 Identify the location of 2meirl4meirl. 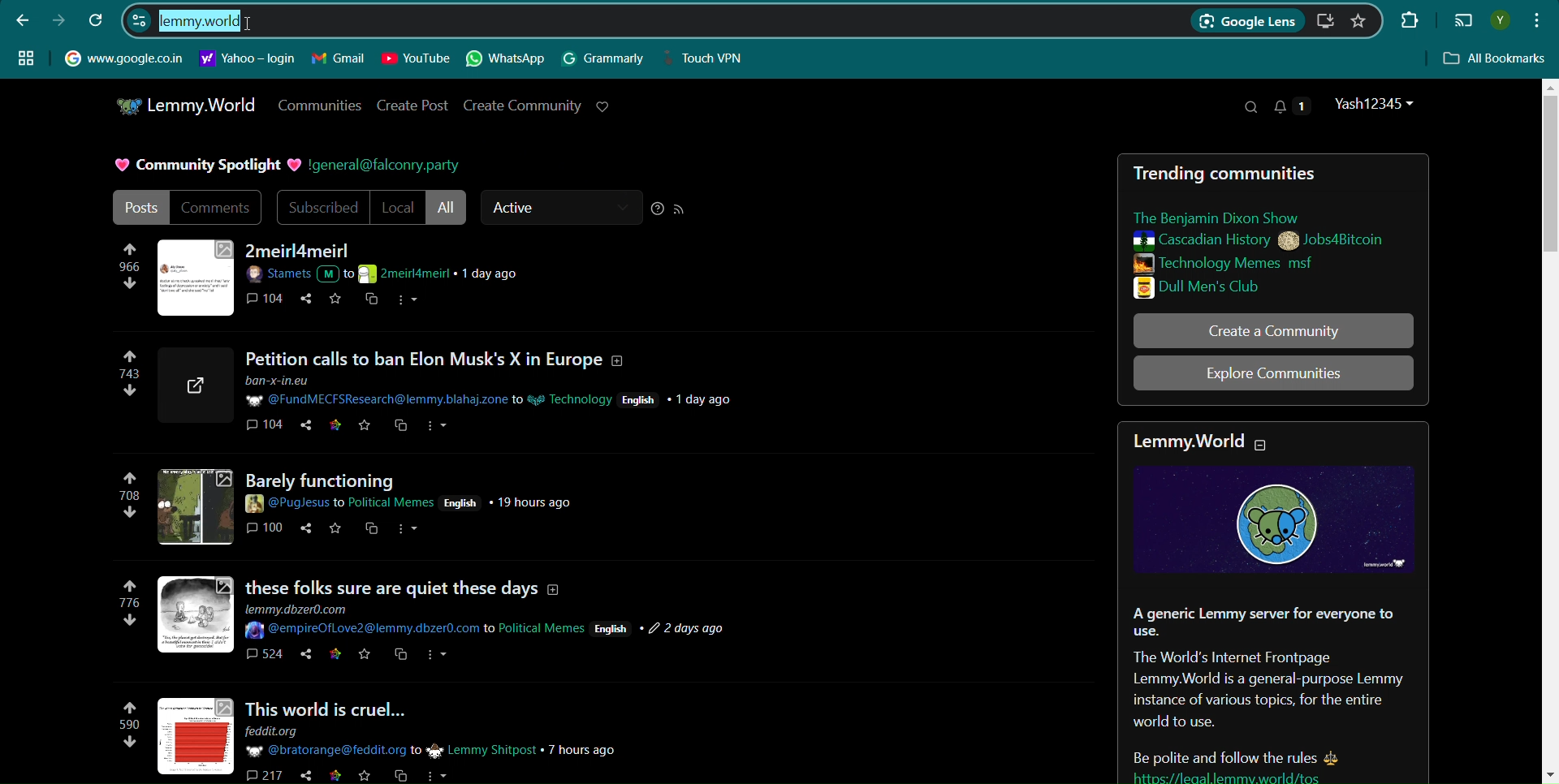
(301, 251).